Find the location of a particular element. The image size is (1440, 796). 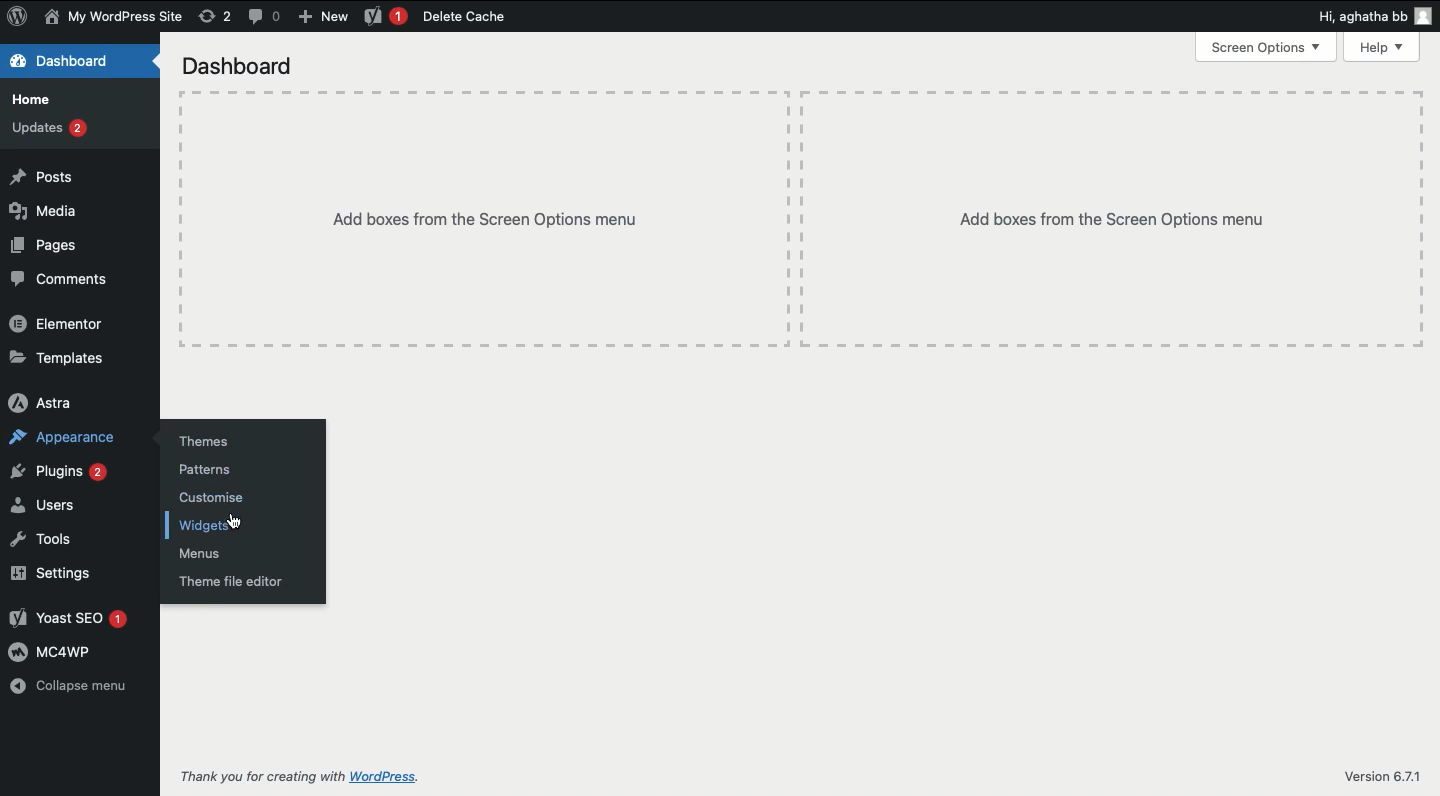

Elementor is located at coordinates (59, 321).